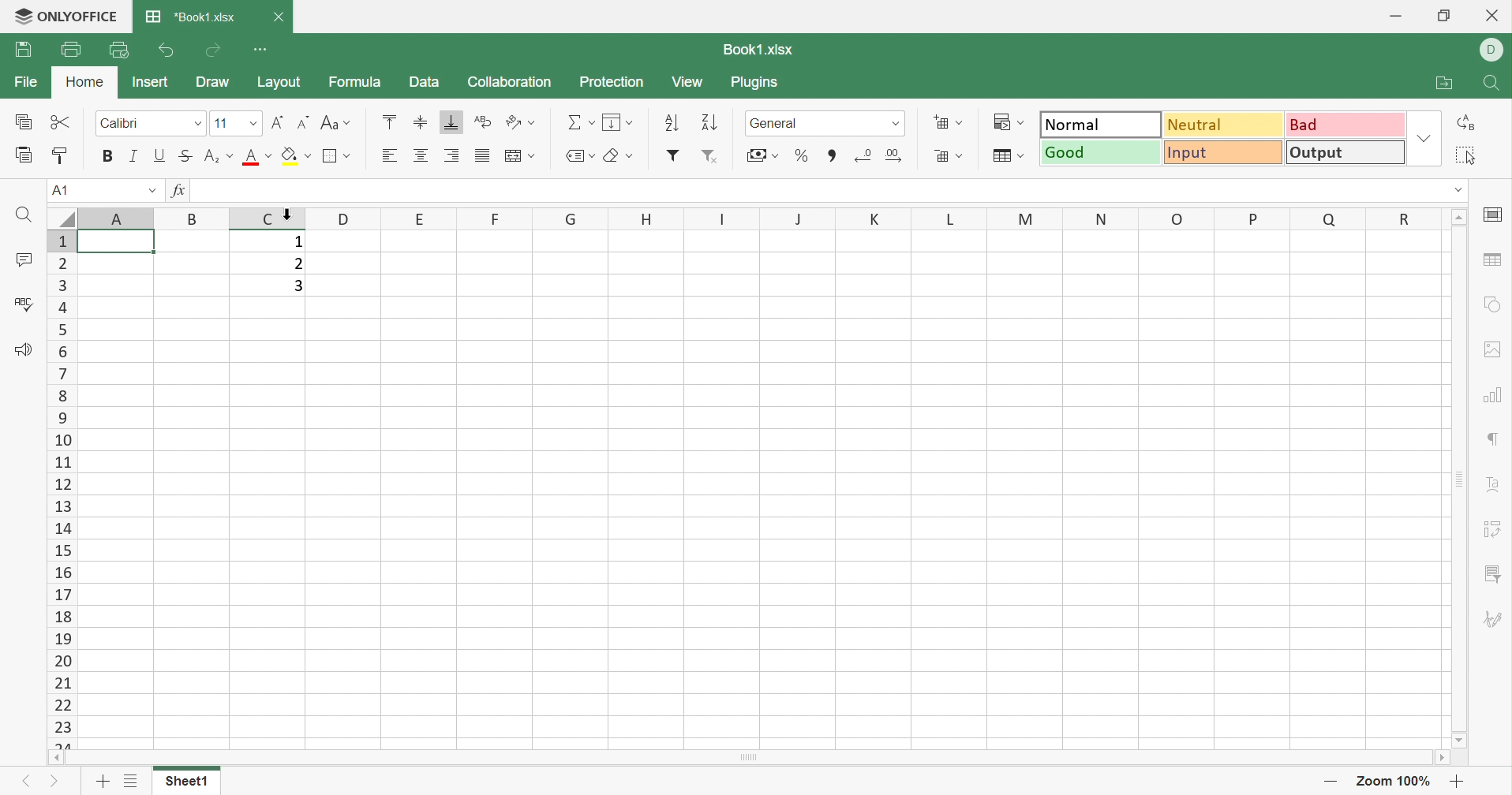 This screenshot has height=795, width=1512. I want to click on Save, so click(24, 47).